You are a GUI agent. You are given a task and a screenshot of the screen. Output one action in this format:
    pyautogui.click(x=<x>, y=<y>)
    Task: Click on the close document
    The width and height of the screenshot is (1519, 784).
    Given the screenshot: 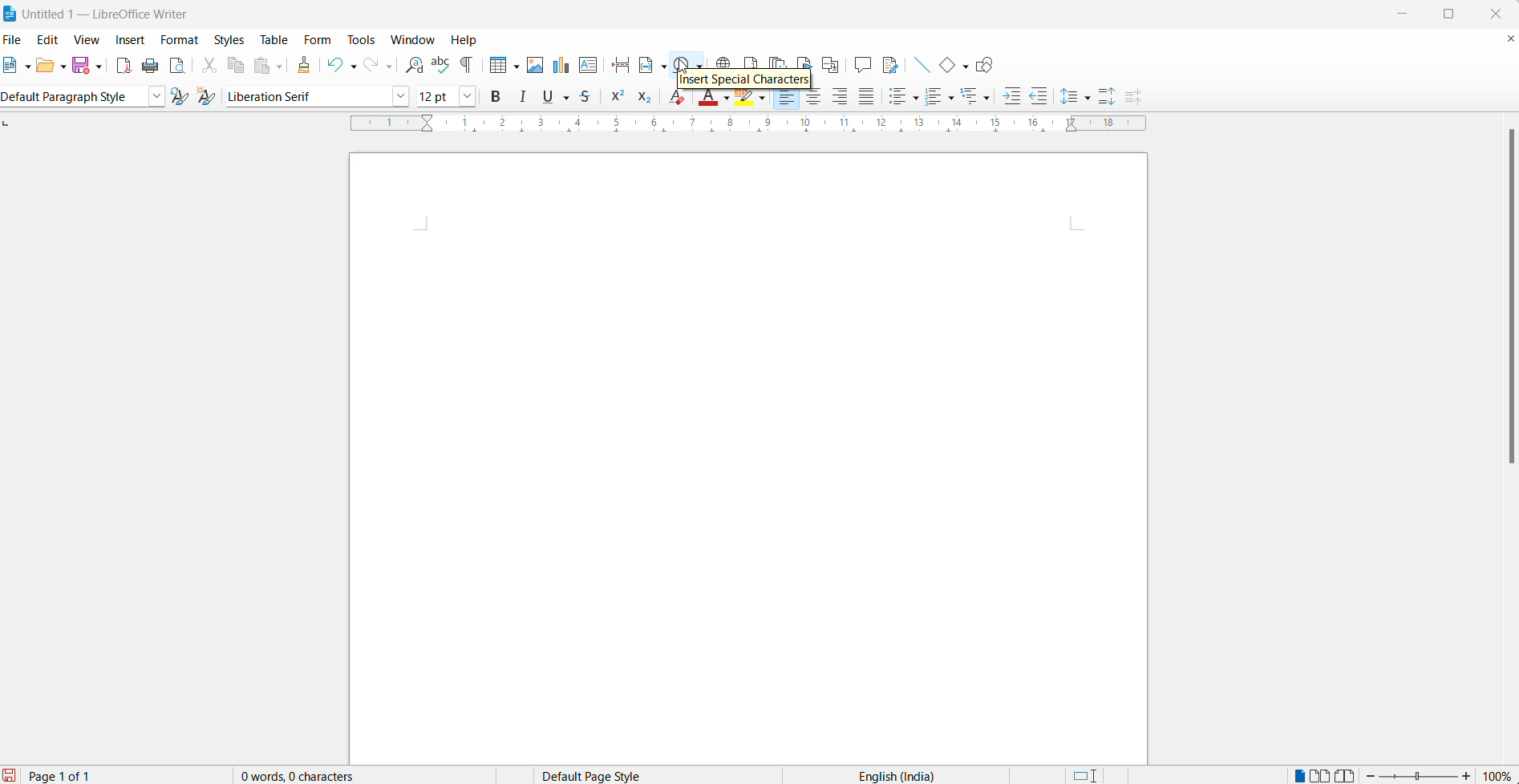 What is the action you would take?
    pyautogui.click(x=1509, y=40)
    